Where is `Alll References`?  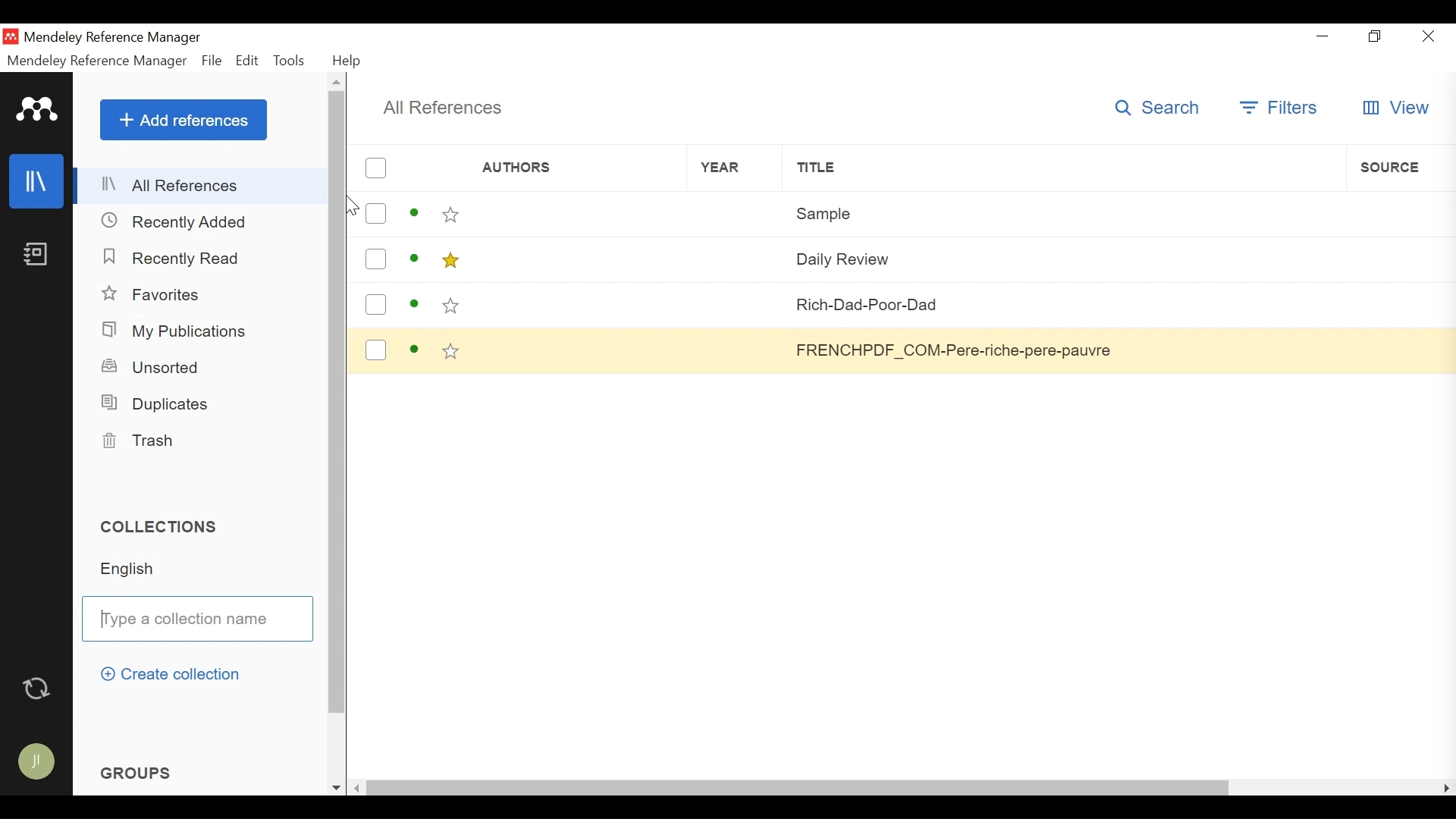 Alll References is located at coordinates (202, 186).